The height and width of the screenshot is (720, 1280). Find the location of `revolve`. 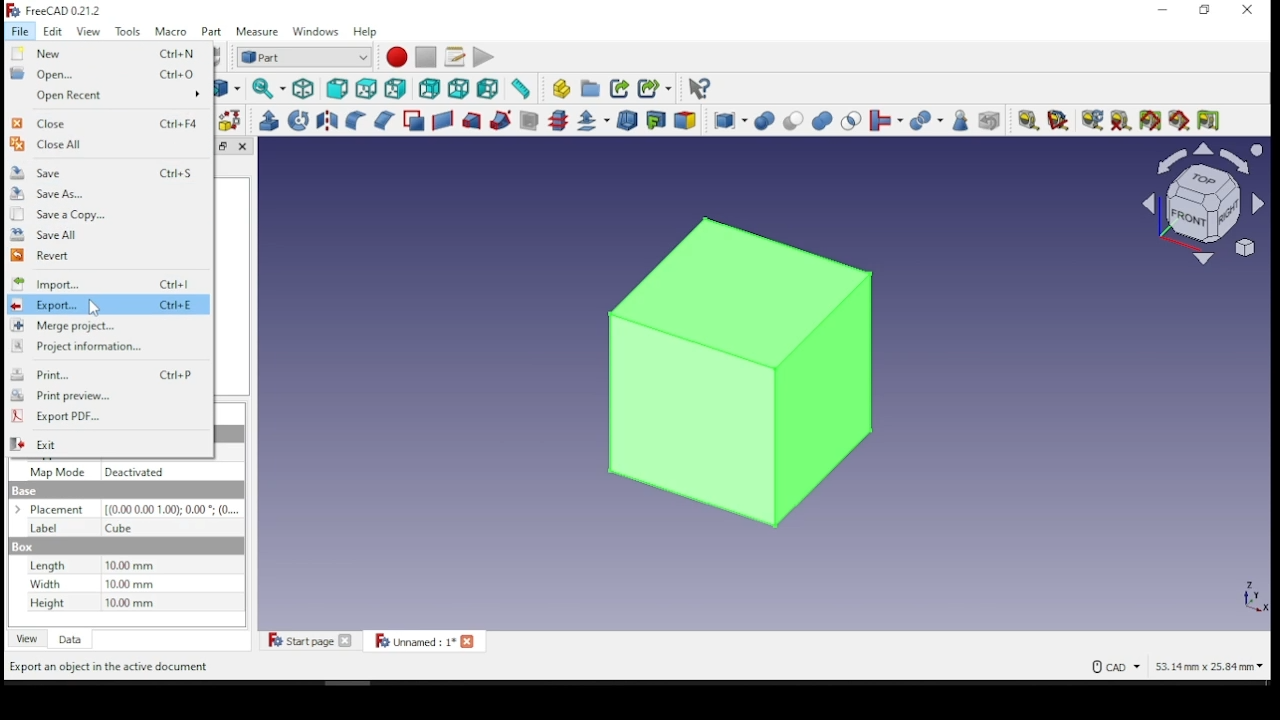

revolve is located at coordinates (299, 120).